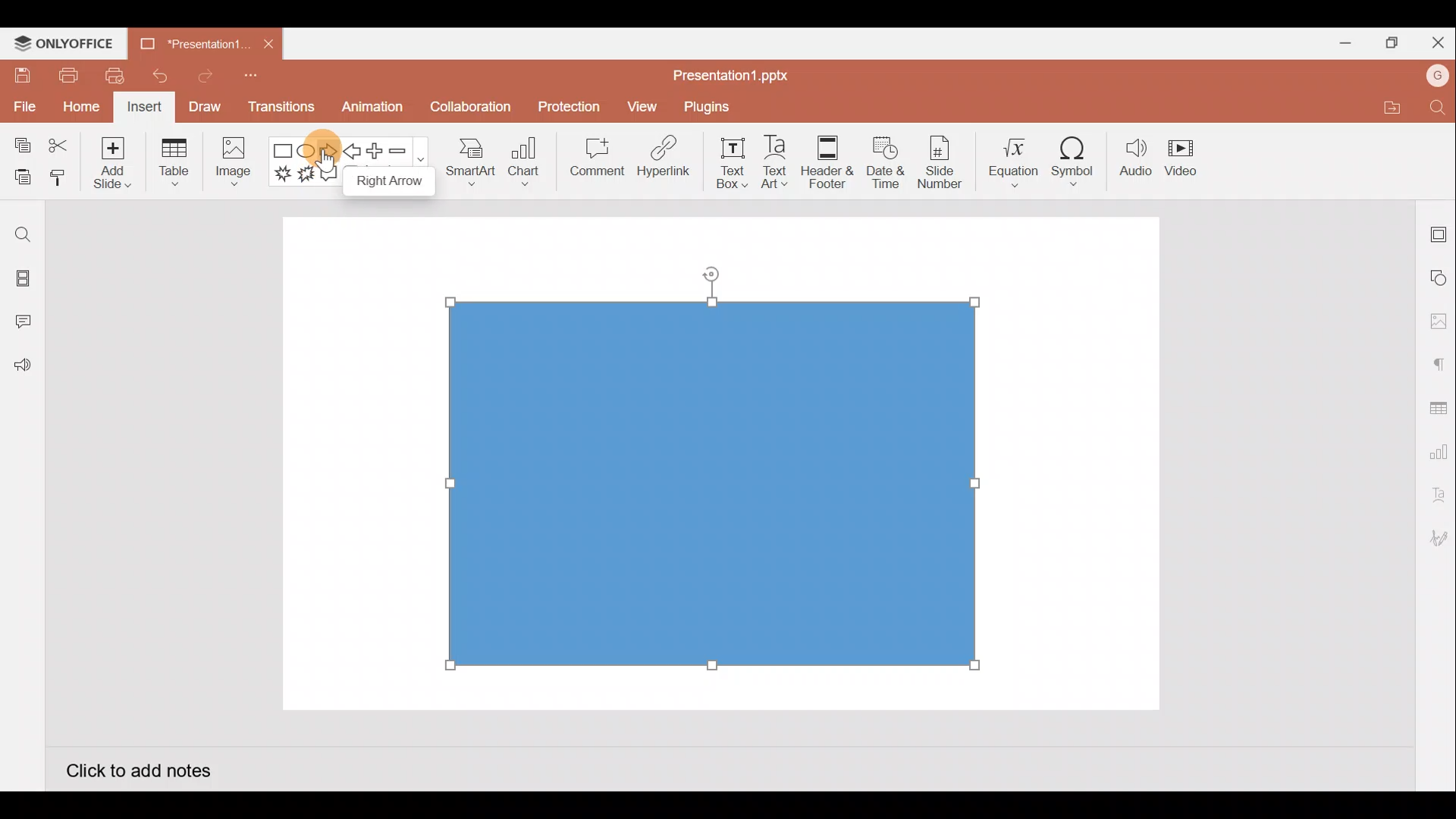 The height and width of the screenshot is (819, 1456). Describe the element at coordinates (565, 107) in the screenshot. I see `Protection` at that location.